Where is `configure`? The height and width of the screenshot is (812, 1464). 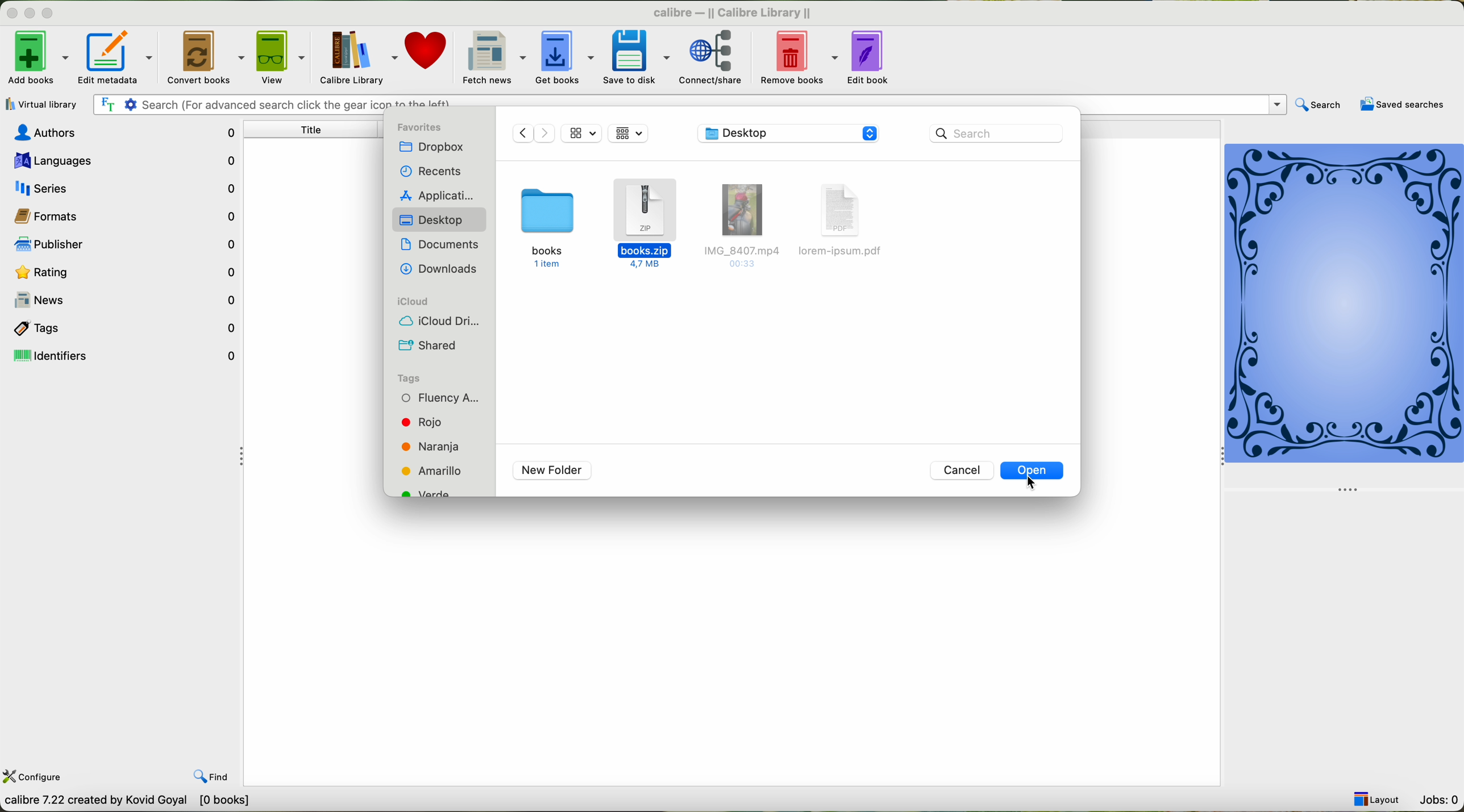 configure is located at coordinates (34, 777).